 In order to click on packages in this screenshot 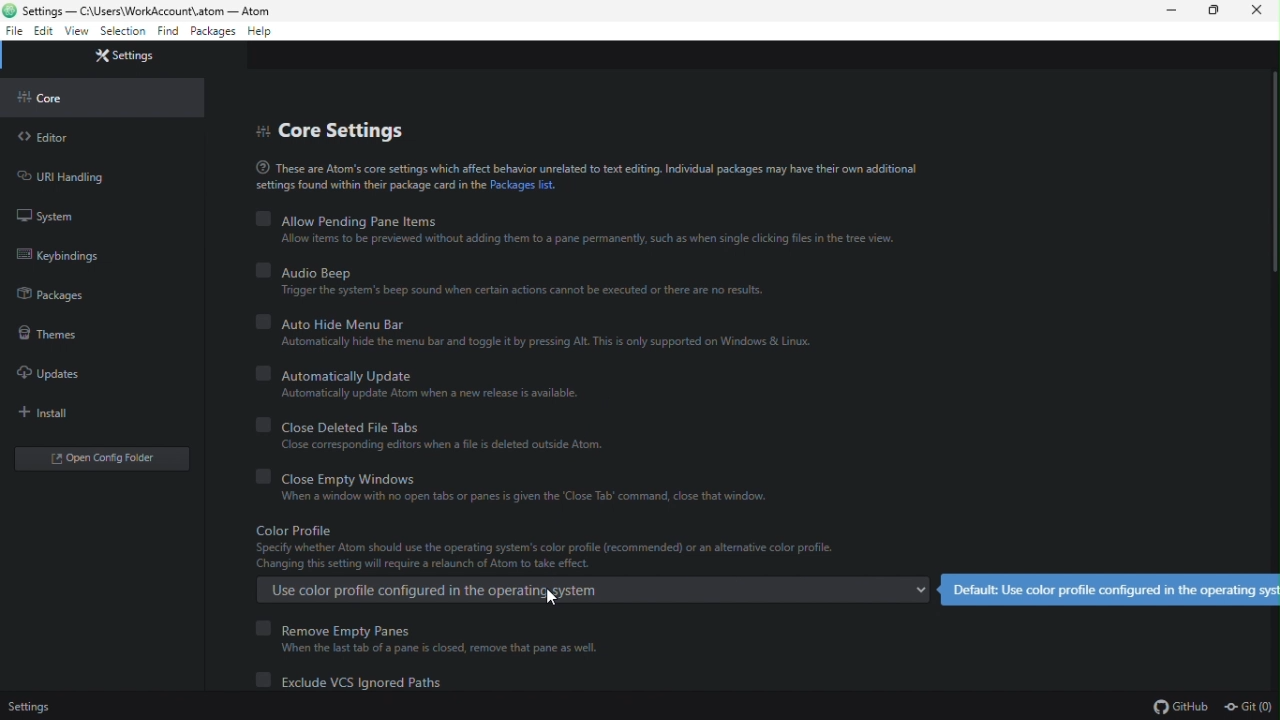, I will do `click(212, 32)`.